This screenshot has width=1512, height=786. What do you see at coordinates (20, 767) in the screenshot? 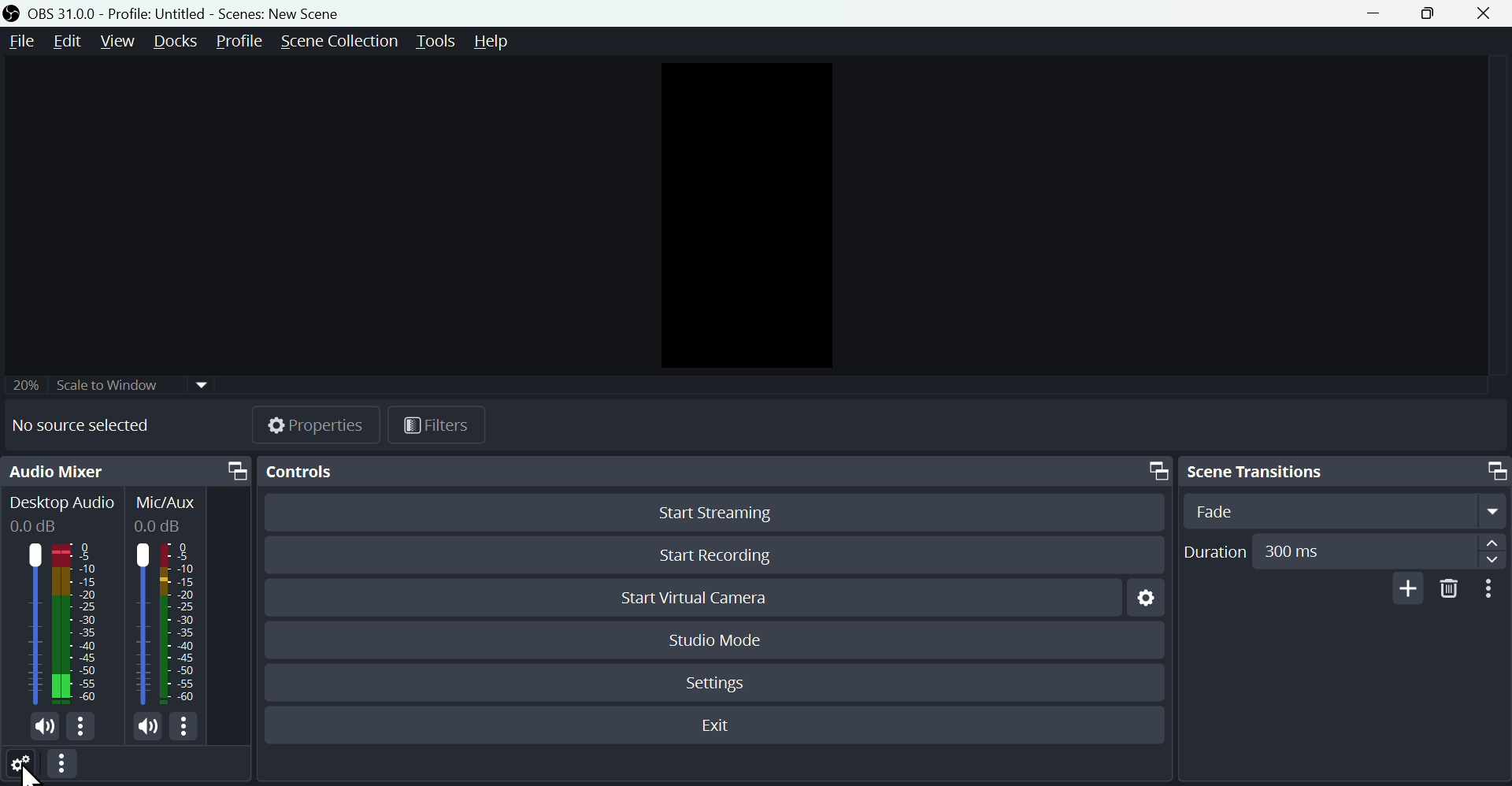
I see `Settings` at bounding box center [20, 767].